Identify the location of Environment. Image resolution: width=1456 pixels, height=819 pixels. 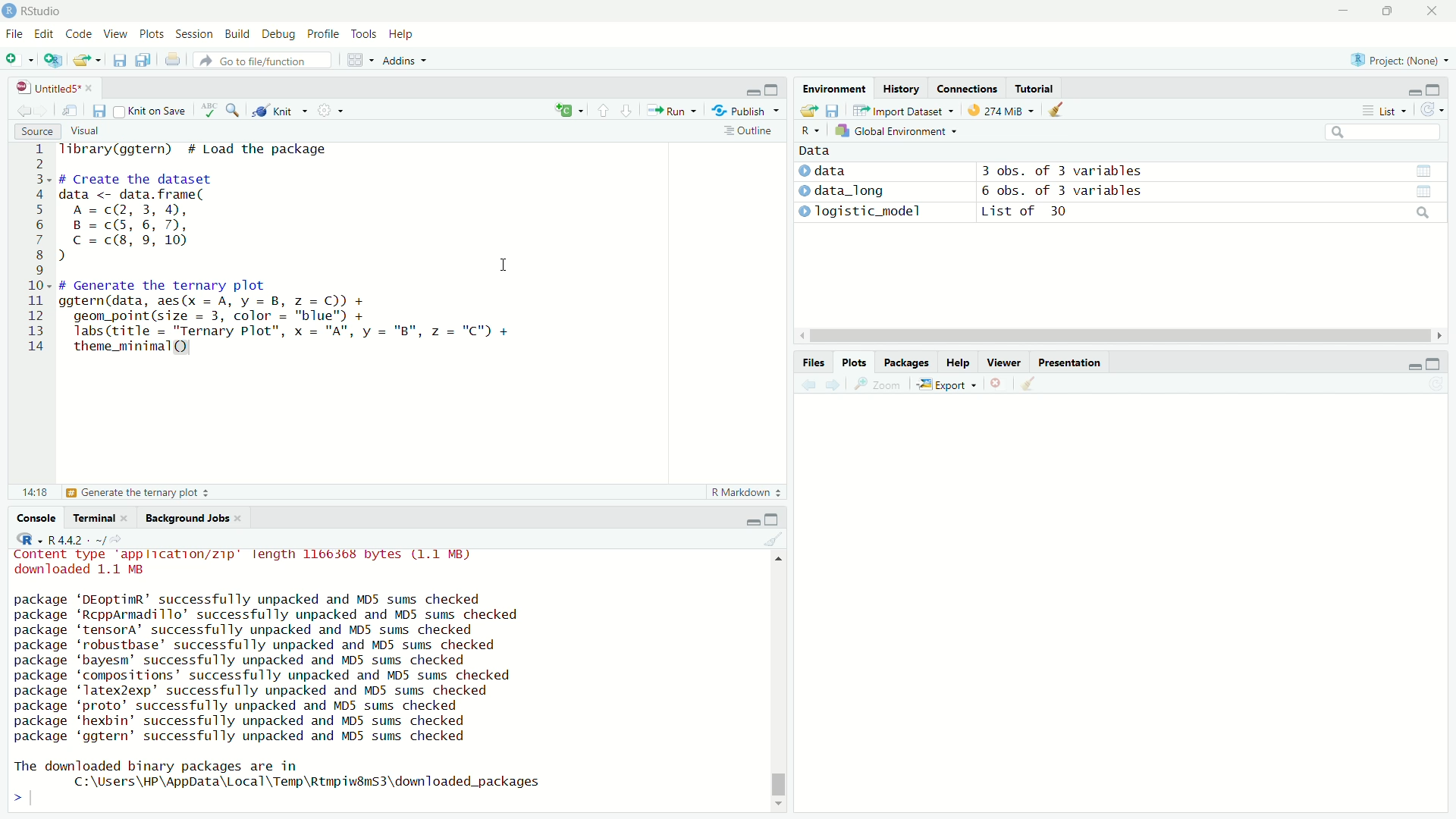
(828, 91).